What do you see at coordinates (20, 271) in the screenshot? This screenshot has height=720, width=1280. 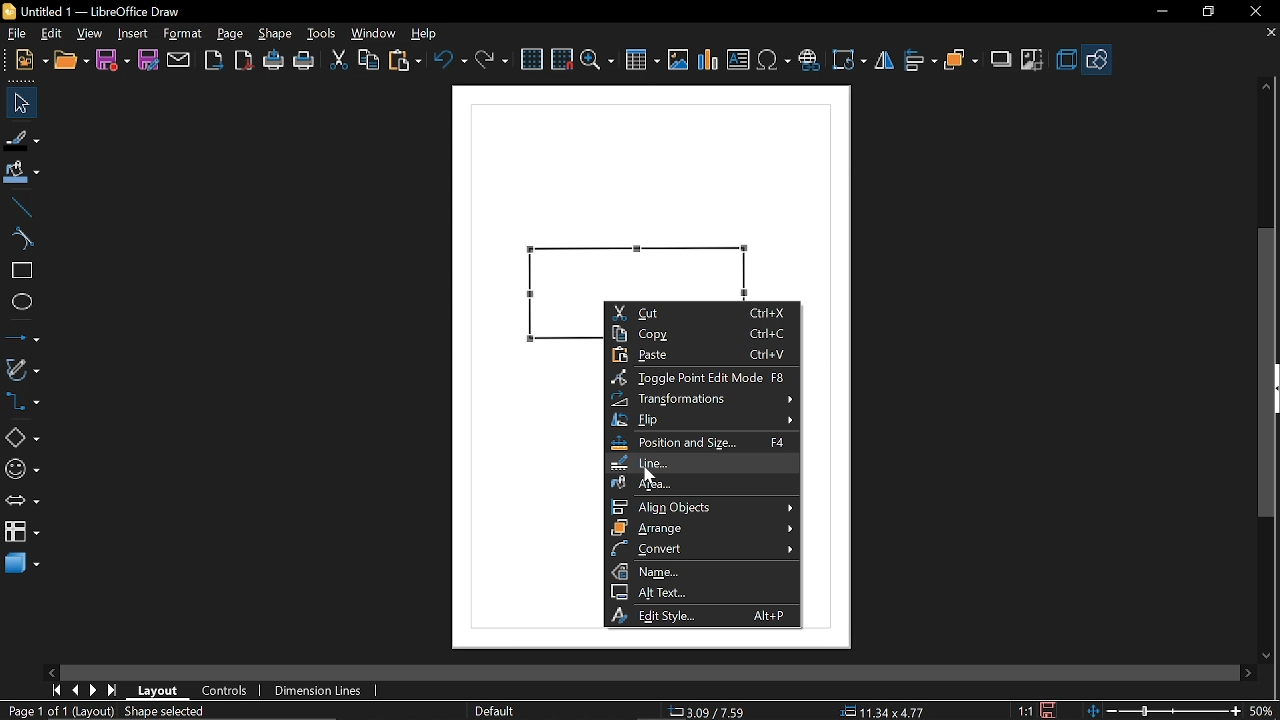 I see `rectangle` at bounding box center [20, 271].